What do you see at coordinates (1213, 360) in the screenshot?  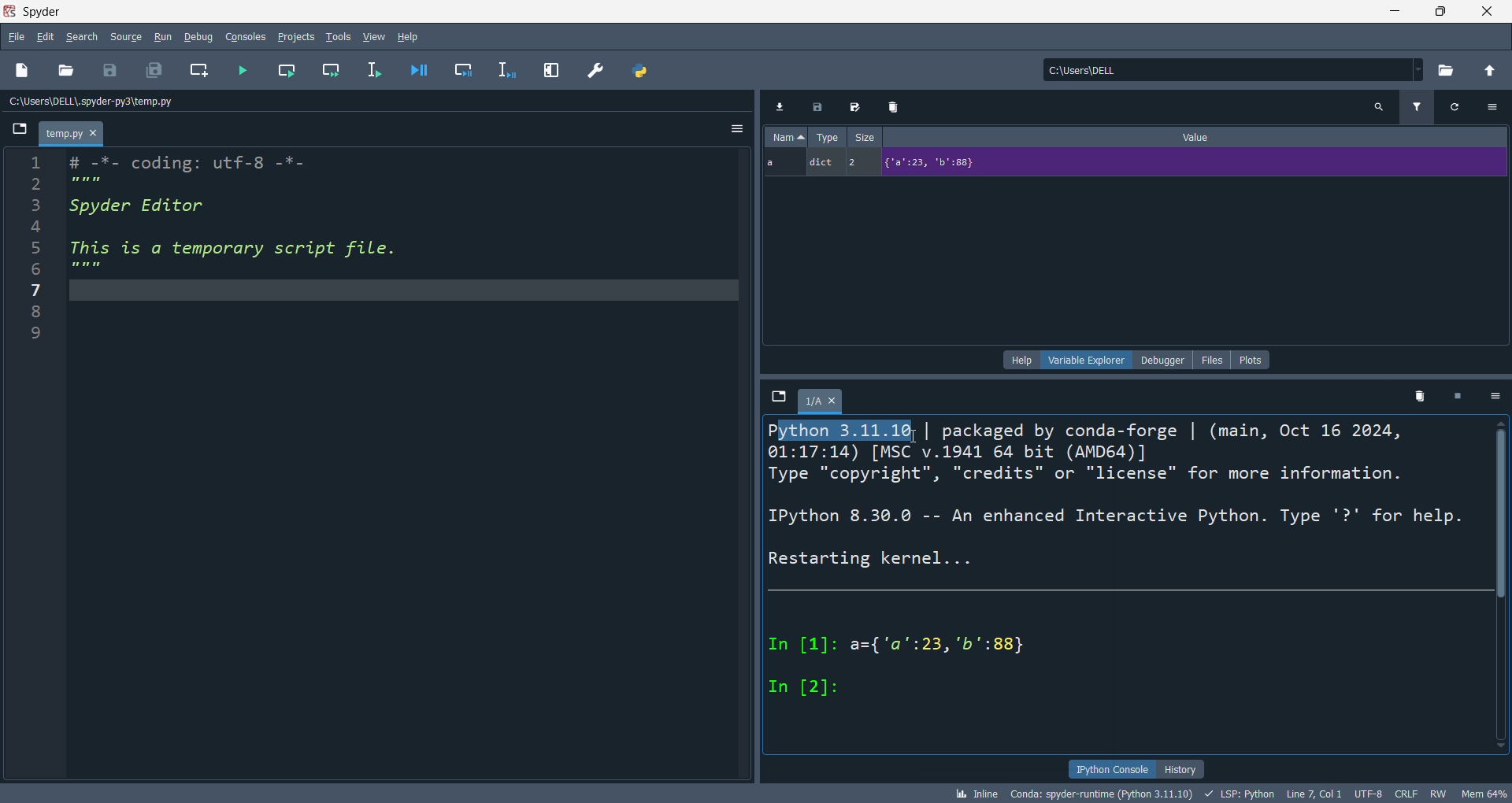 I see `files` at bounding box center [1213, 360].